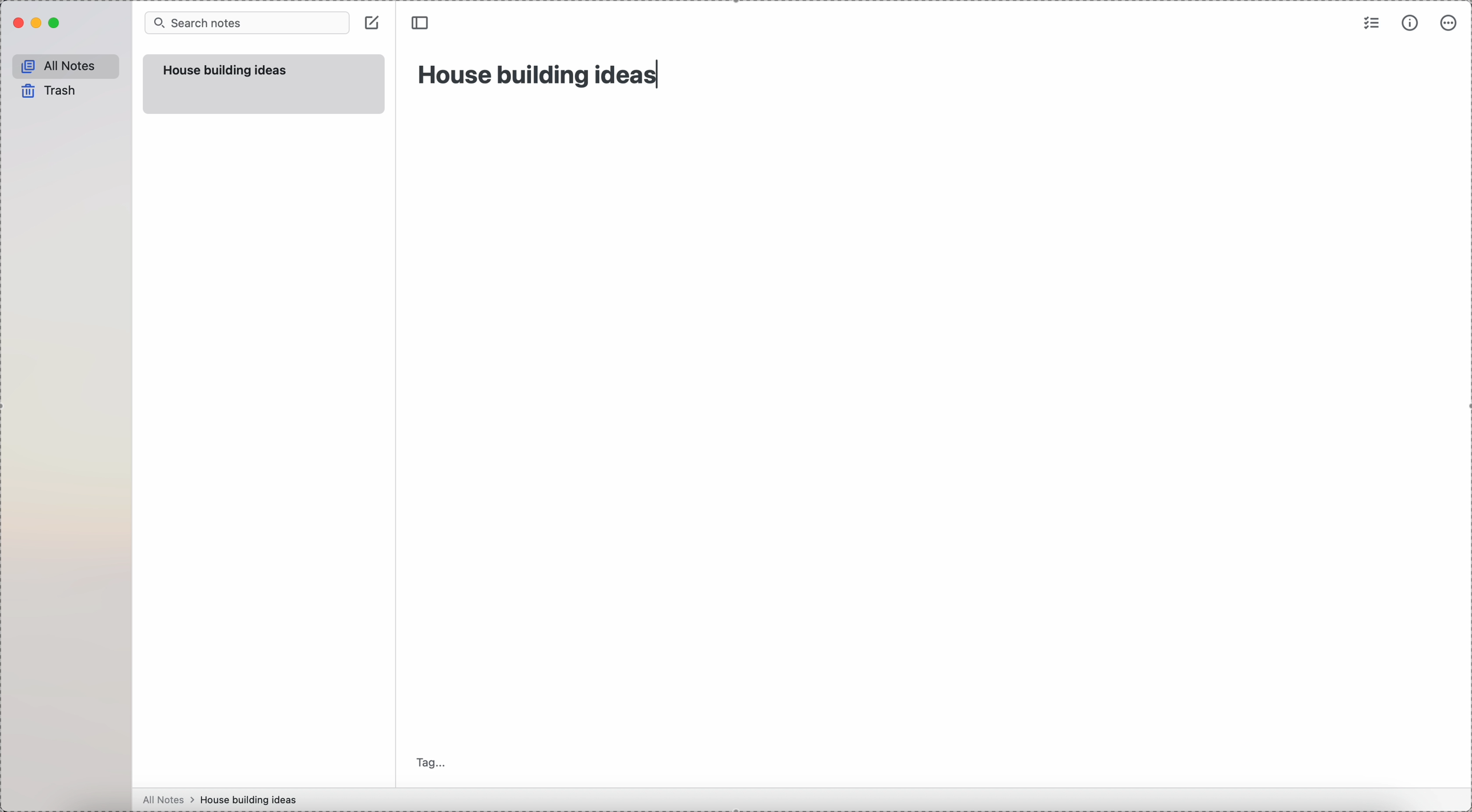 This screenshot has width=1472, height=812. Describe the element at coordinates (539, 73) in the screenshot. I see `house building ideas` at that location.